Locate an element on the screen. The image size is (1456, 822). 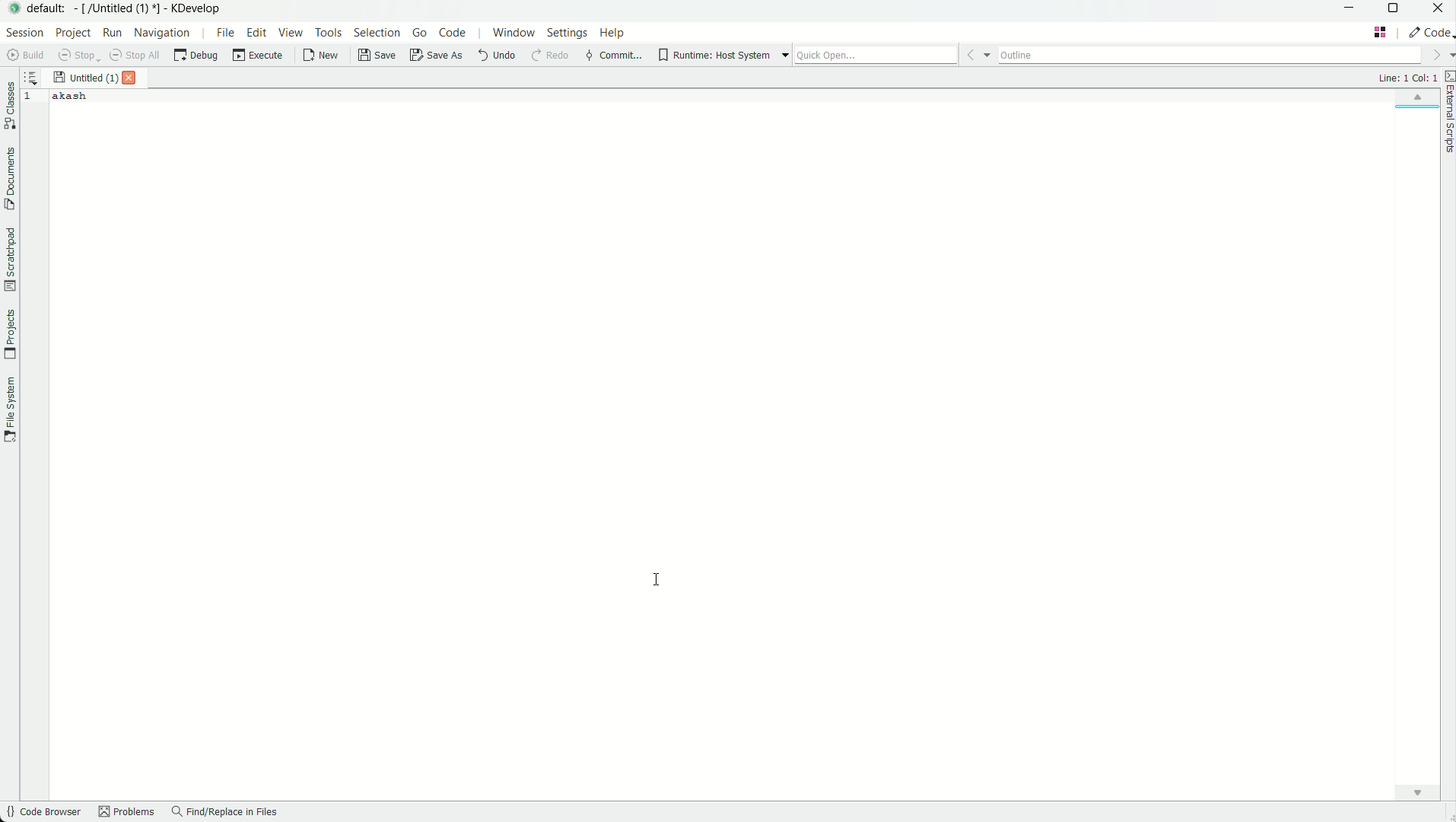
navigation menu is located at coordinates (163, 32).